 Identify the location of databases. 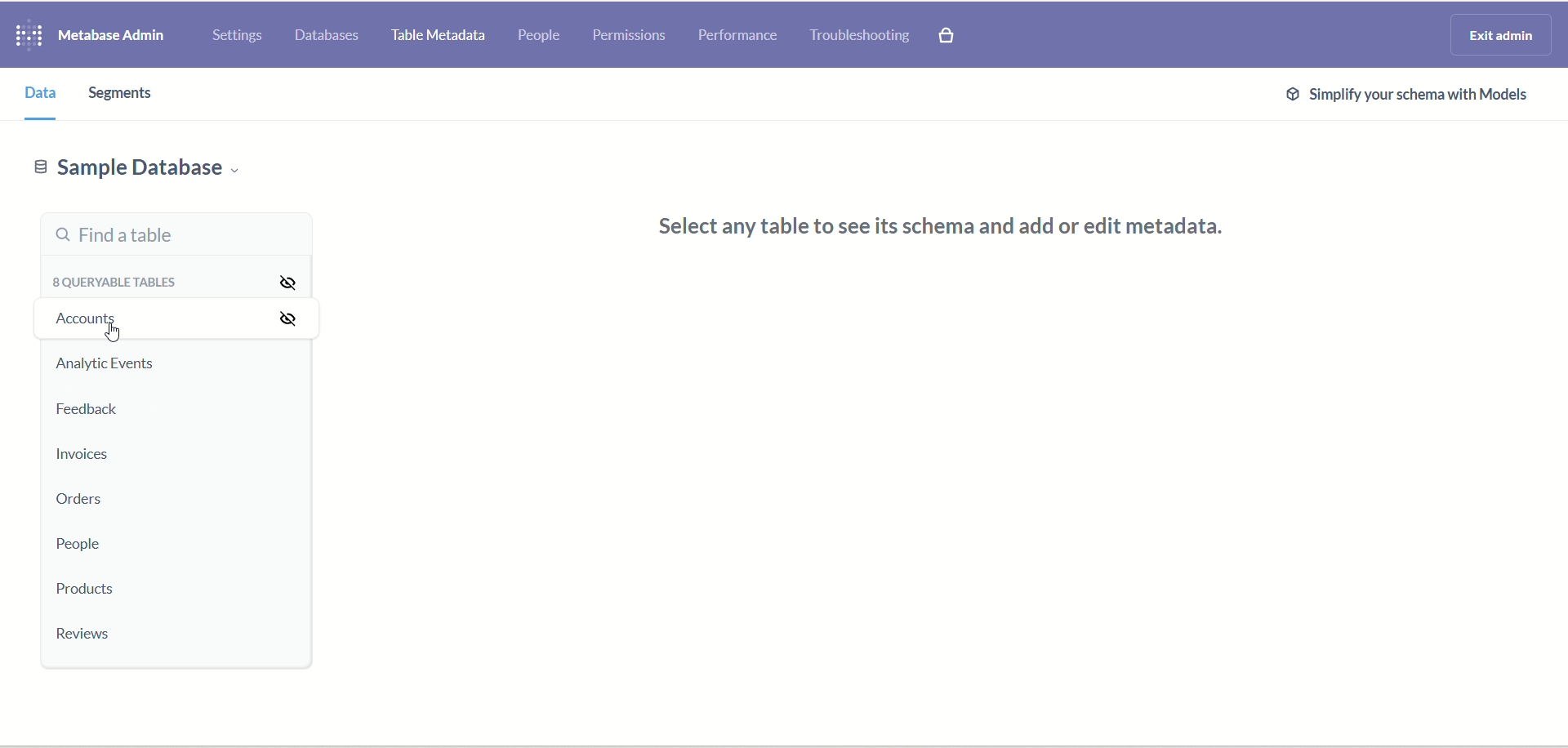
(327, 38).